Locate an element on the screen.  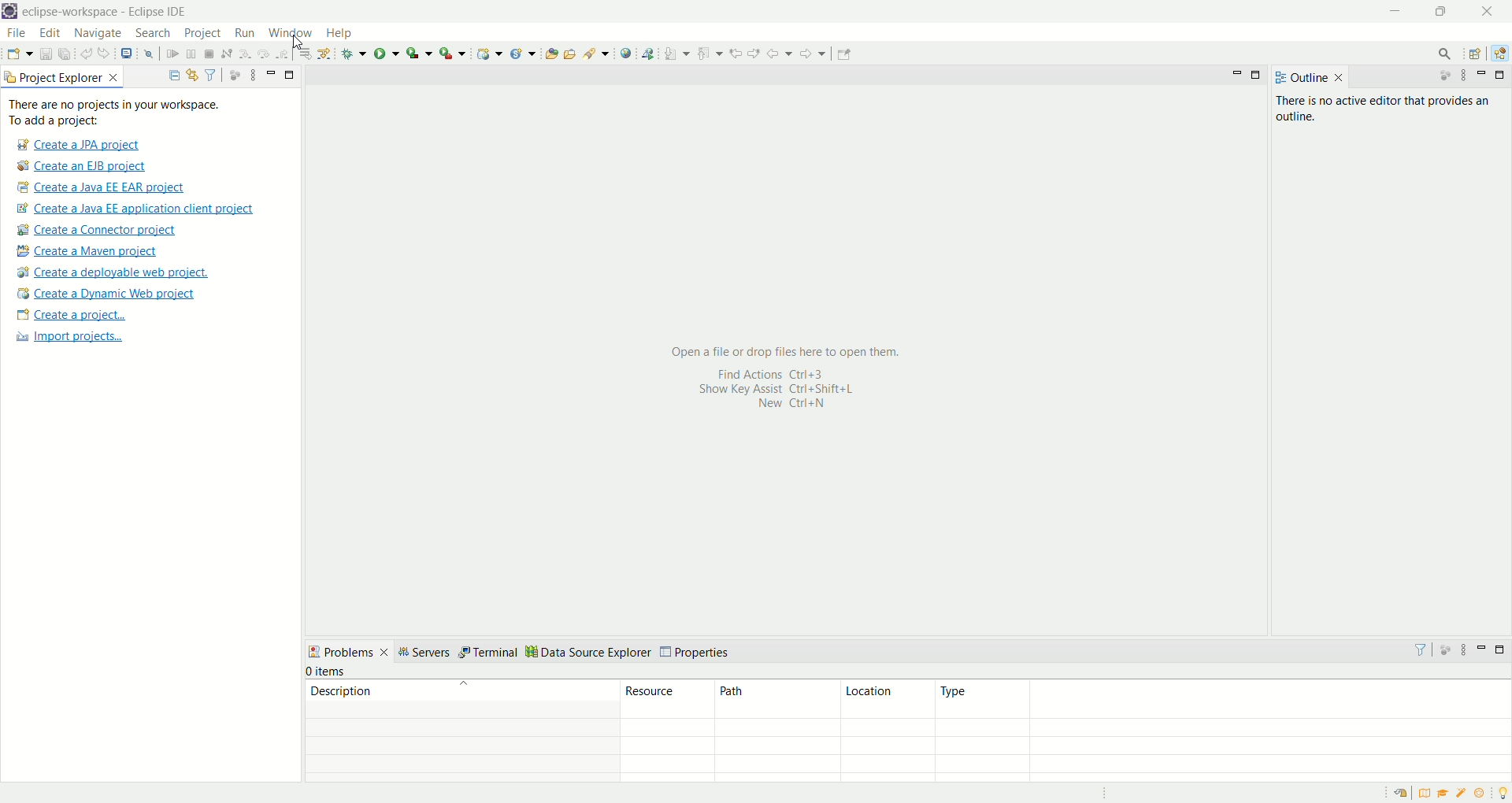
create a Java EE application client project is located at coordinates (135, 211).